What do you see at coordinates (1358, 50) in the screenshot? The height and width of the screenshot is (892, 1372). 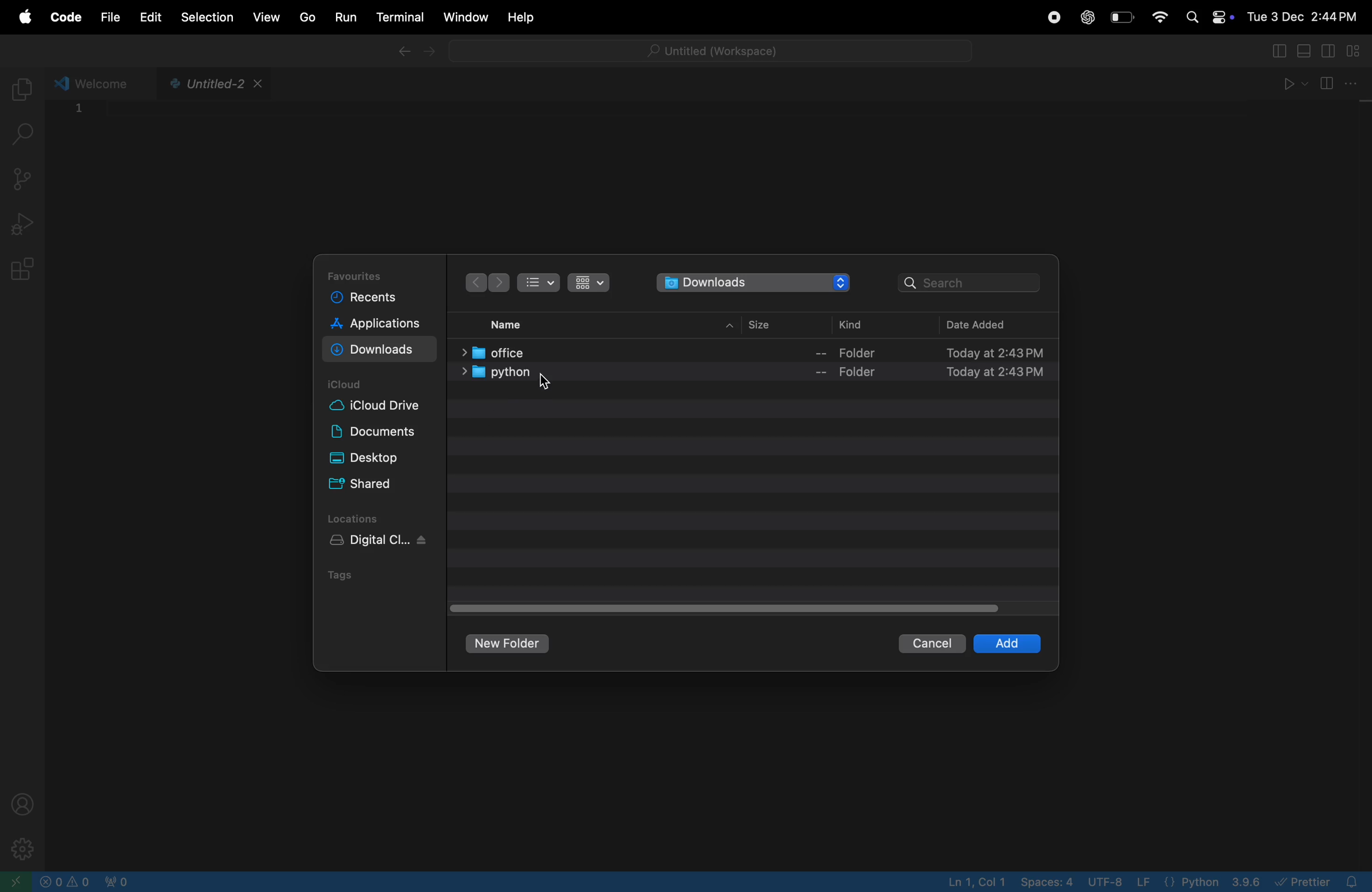 I see `customize layout` at bounding box center [1358, 50].